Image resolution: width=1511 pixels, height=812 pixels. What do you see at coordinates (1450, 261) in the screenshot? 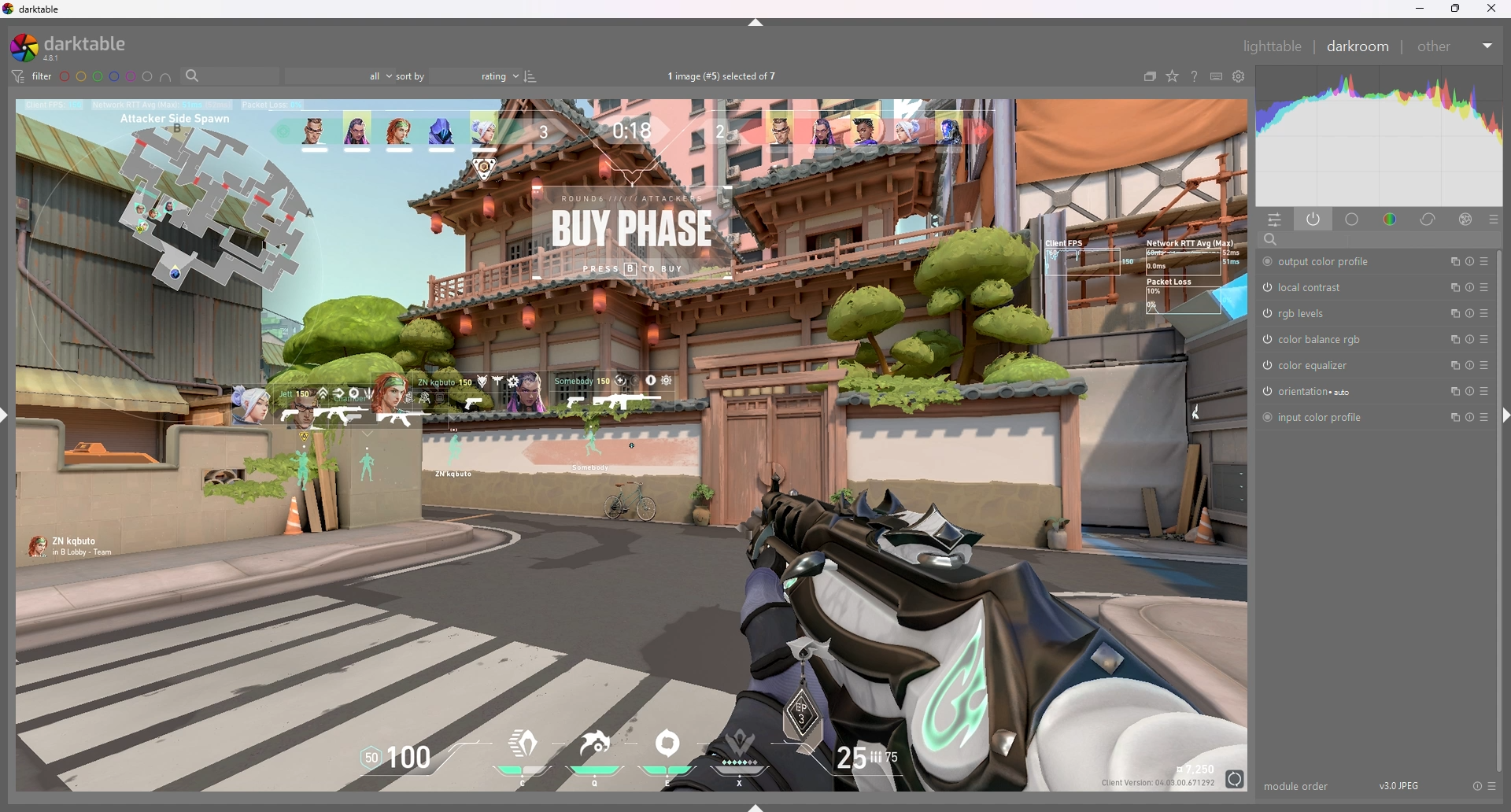
I see `multiple instances action` at bounding box center [1450, 261].